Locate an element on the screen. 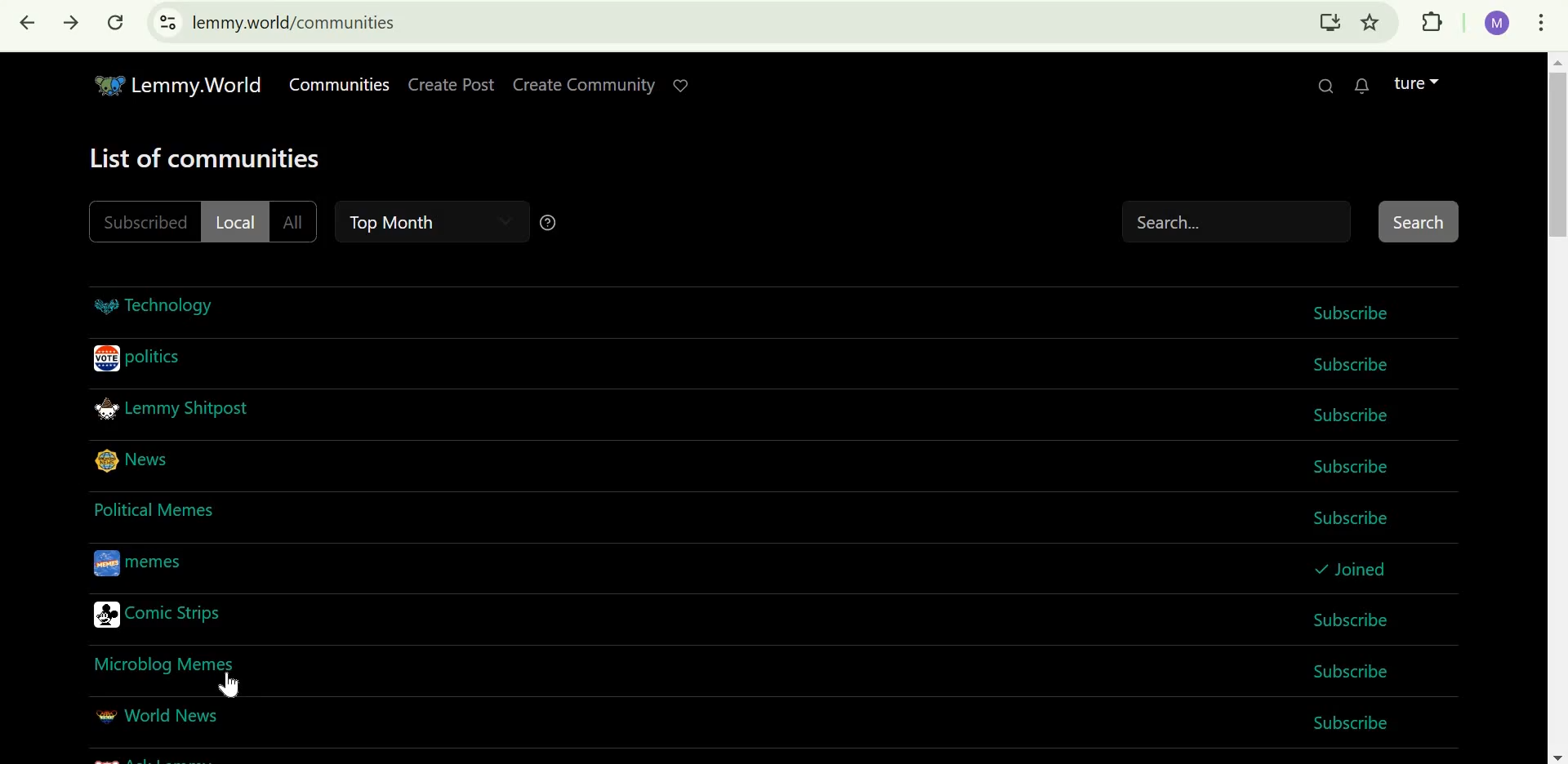 This screenshot has height=764, width=1568. 0 unread messages is located at coordinates (1363, 85).